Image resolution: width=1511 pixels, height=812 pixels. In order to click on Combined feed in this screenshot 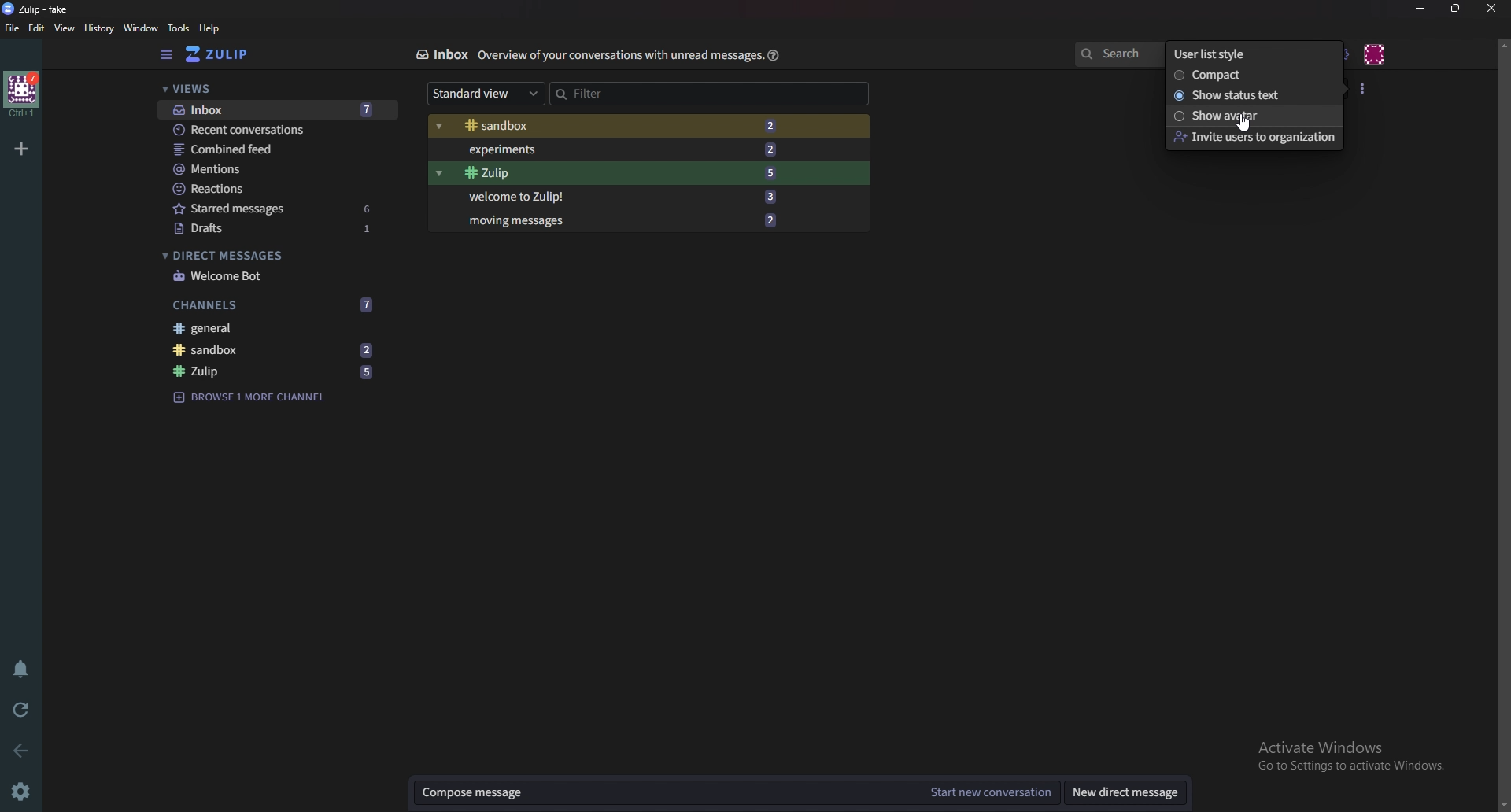, I will do `click(275, 149)`.